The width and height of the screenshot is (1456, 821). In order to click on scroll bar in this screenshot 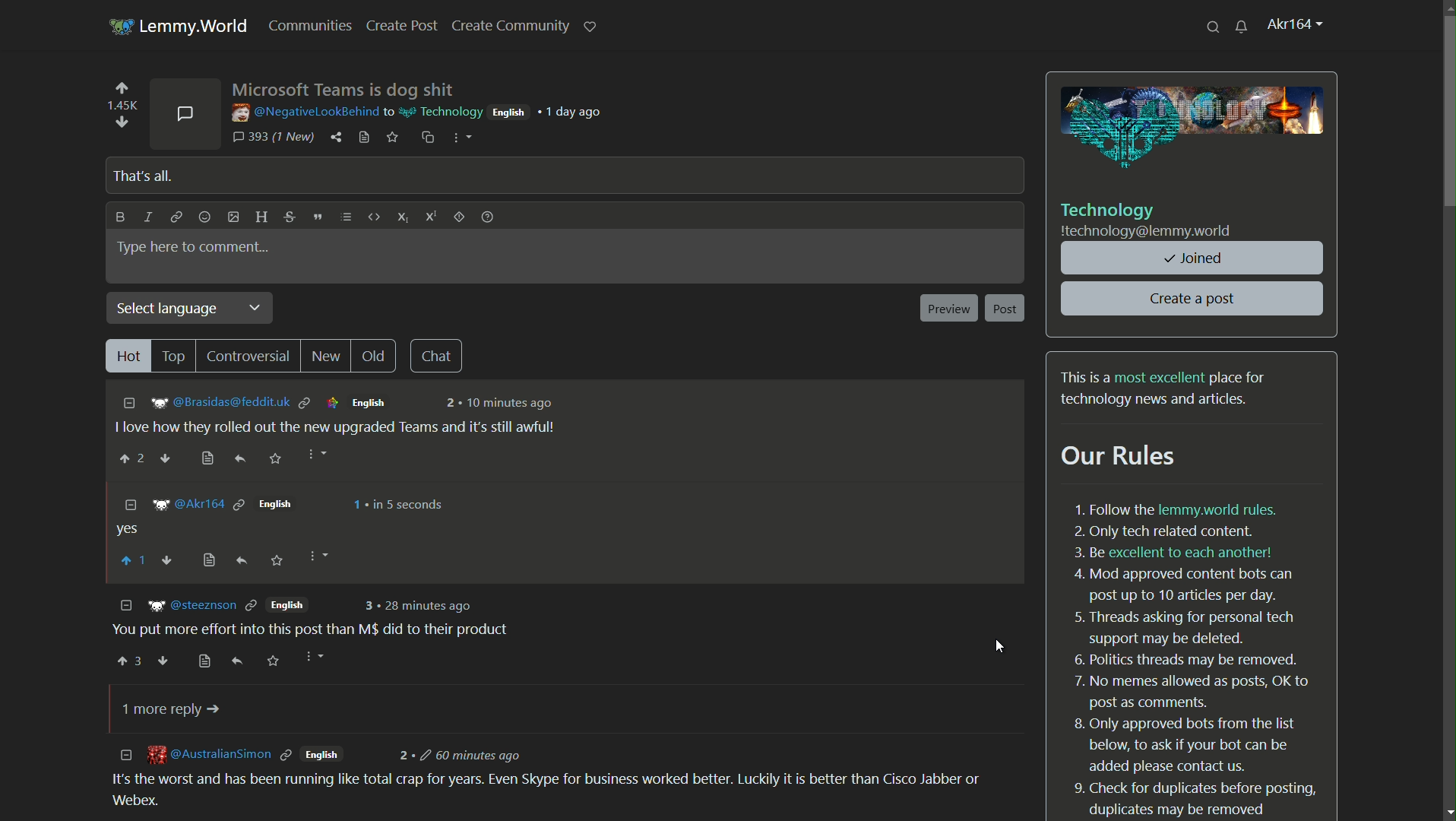, I will do `click(1449, 125)`.